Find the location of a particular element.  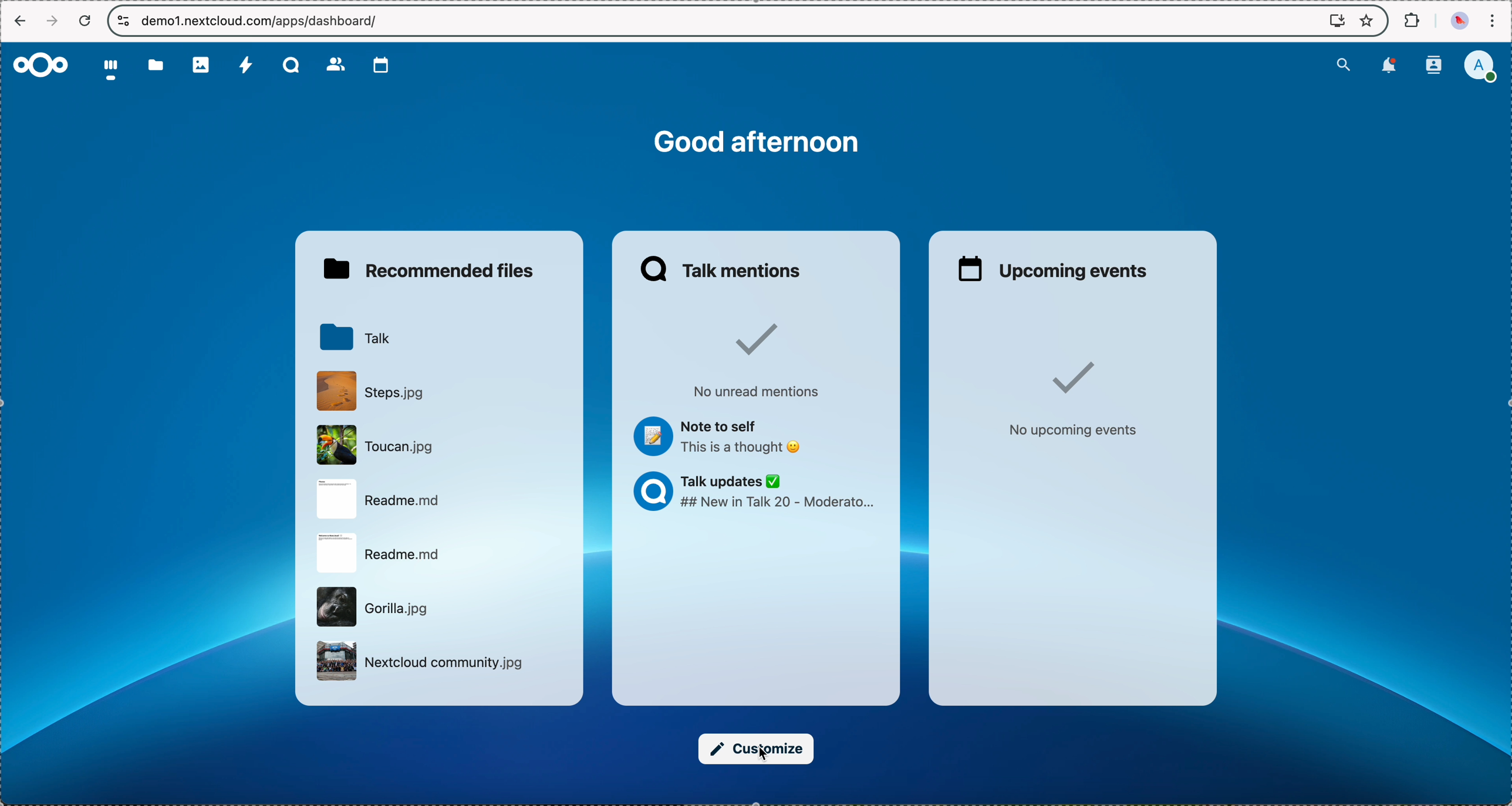

URL is located at coordinates (262, 21).